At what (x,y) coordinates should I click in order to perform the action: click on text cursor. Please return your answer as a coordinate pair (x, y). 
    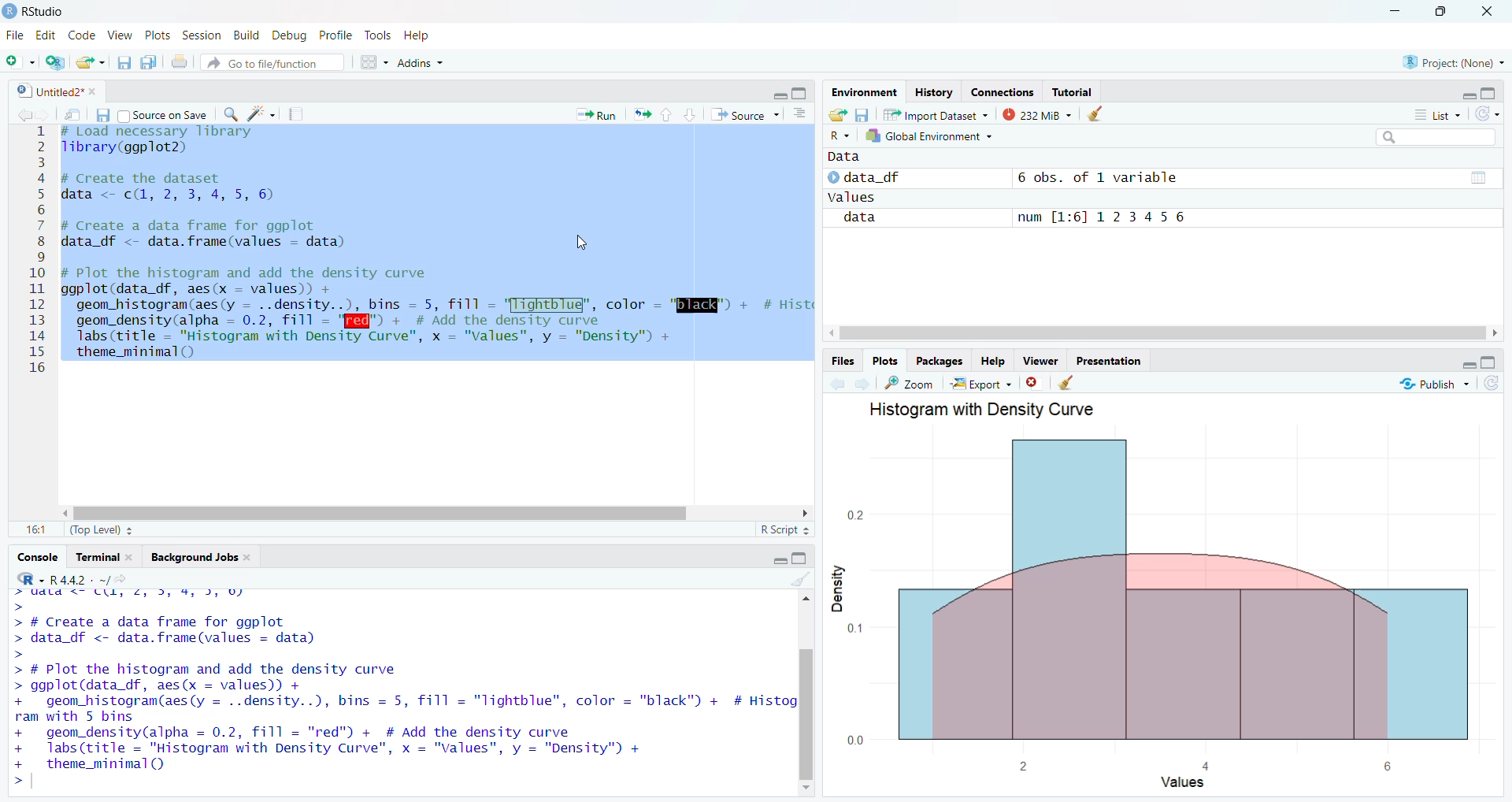
    Looking at the image, I should click on (35, 780).